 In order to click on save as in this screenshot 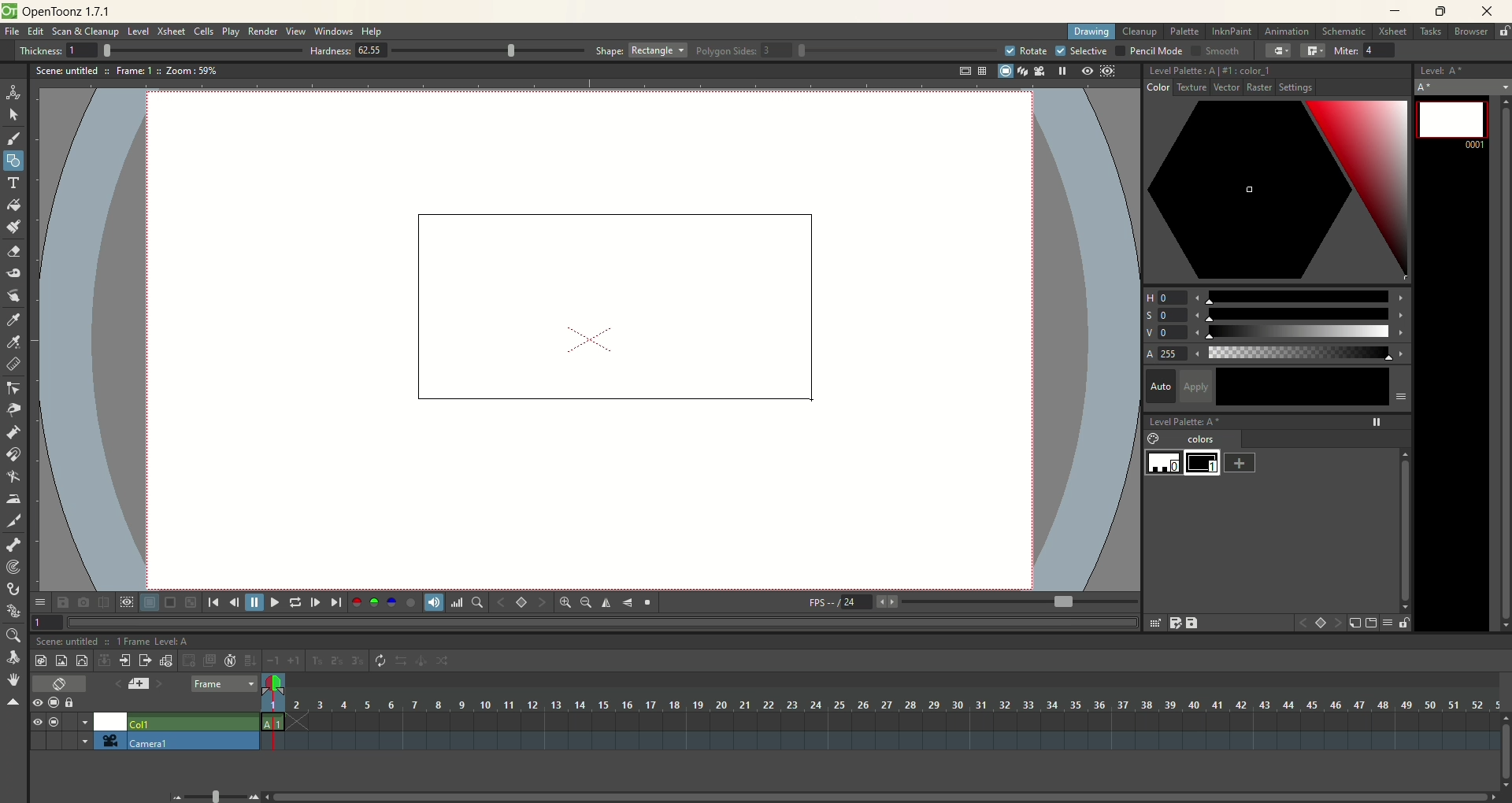, I will do `click(1174, 623)`.